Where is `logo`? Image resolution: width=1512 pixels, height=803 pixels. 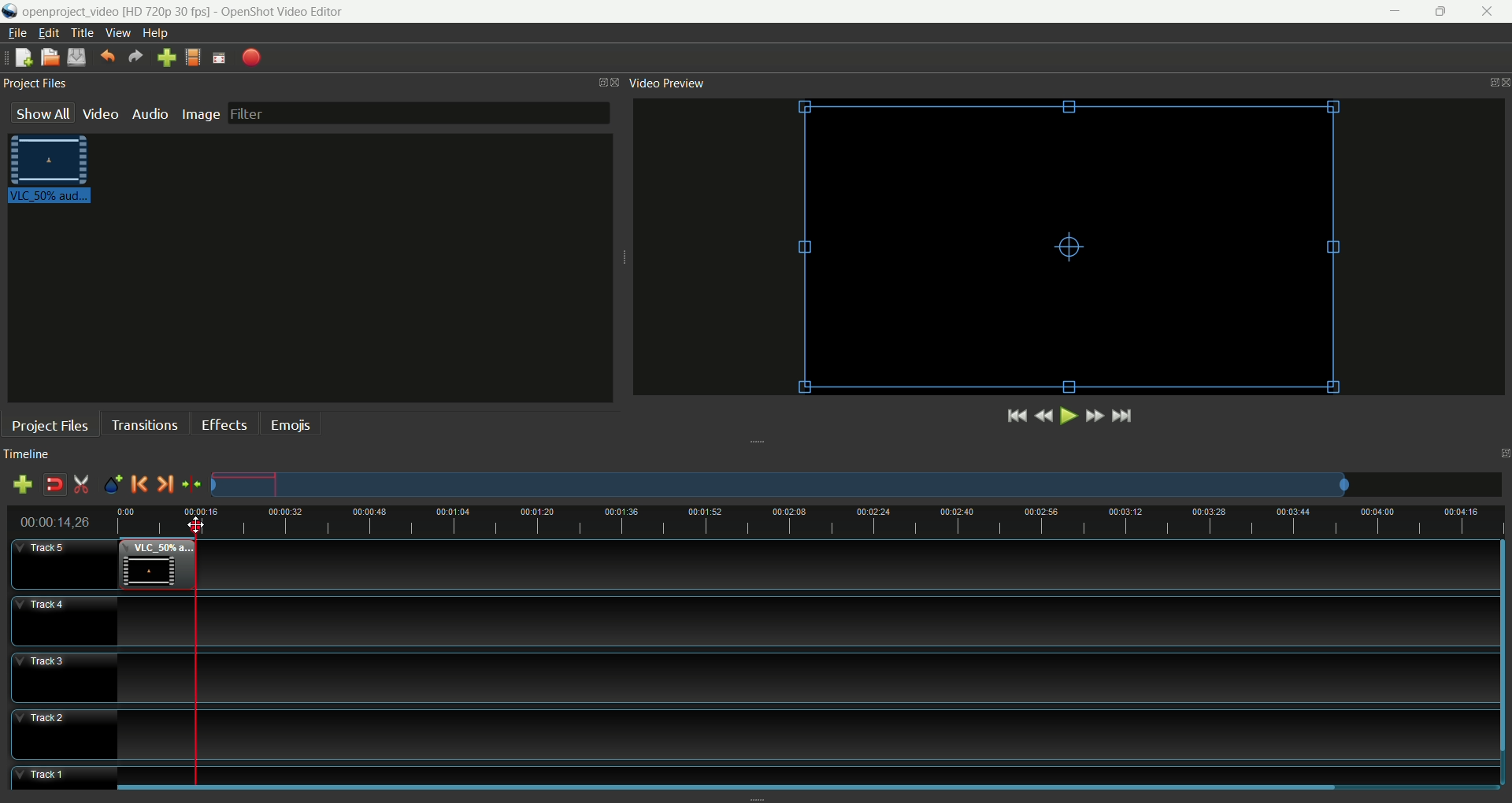
logo is located at coordinates (10, 11).